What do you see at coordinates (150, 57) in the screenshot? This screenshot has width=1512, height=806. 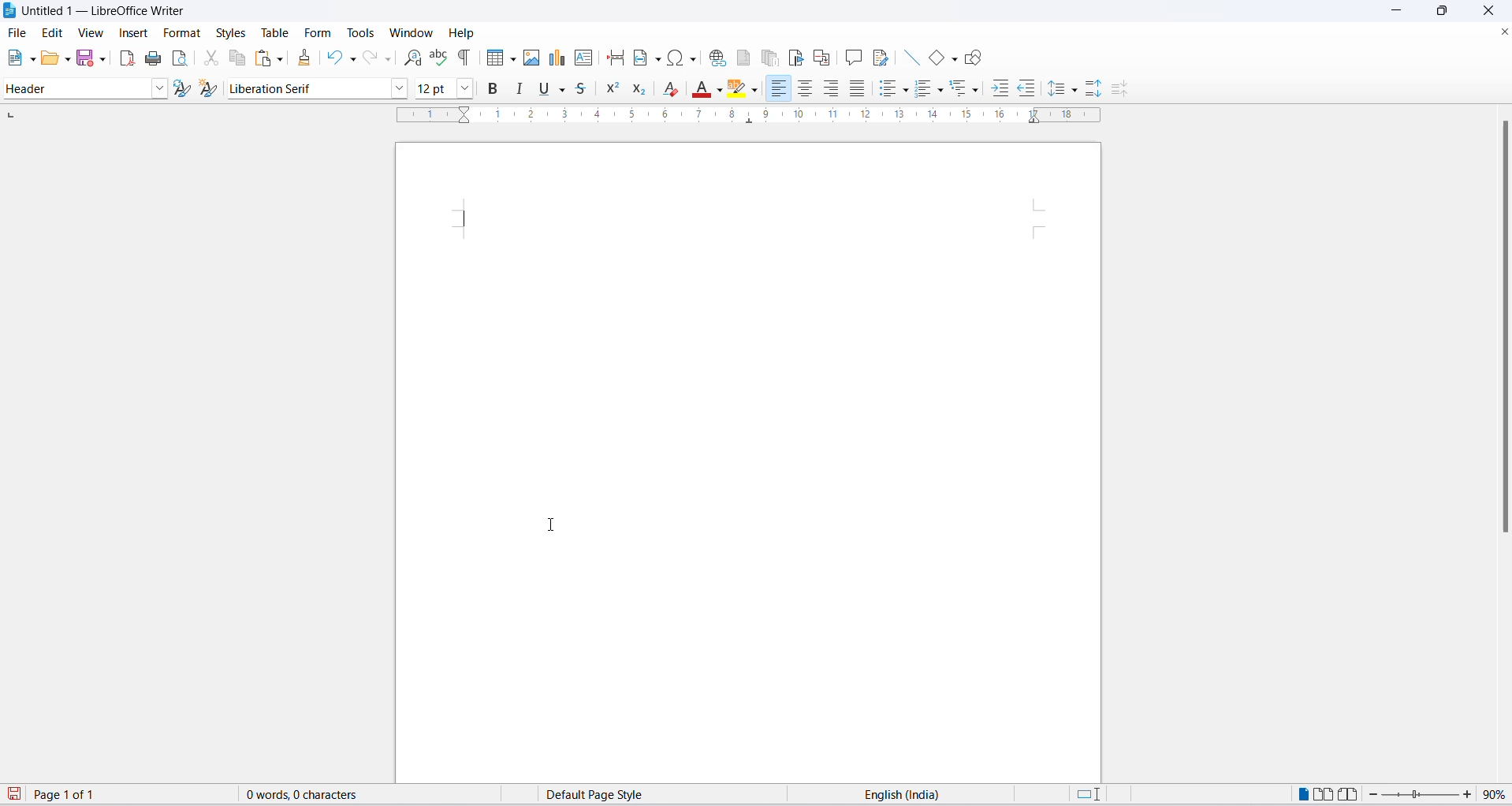 I see `print` at bounding box center [150, 57].